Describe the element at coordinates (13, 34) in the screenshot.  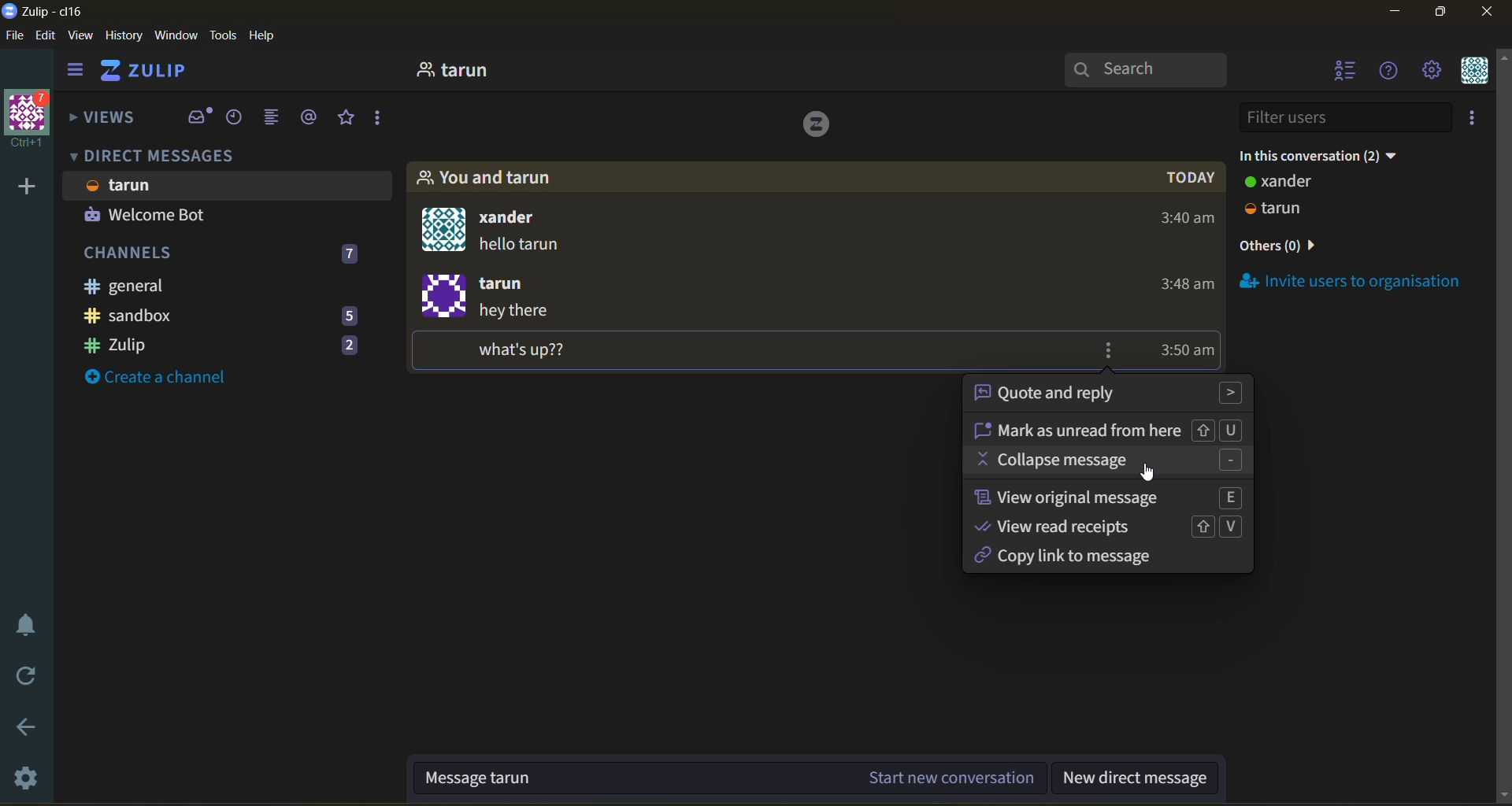
I see `file` at that location.